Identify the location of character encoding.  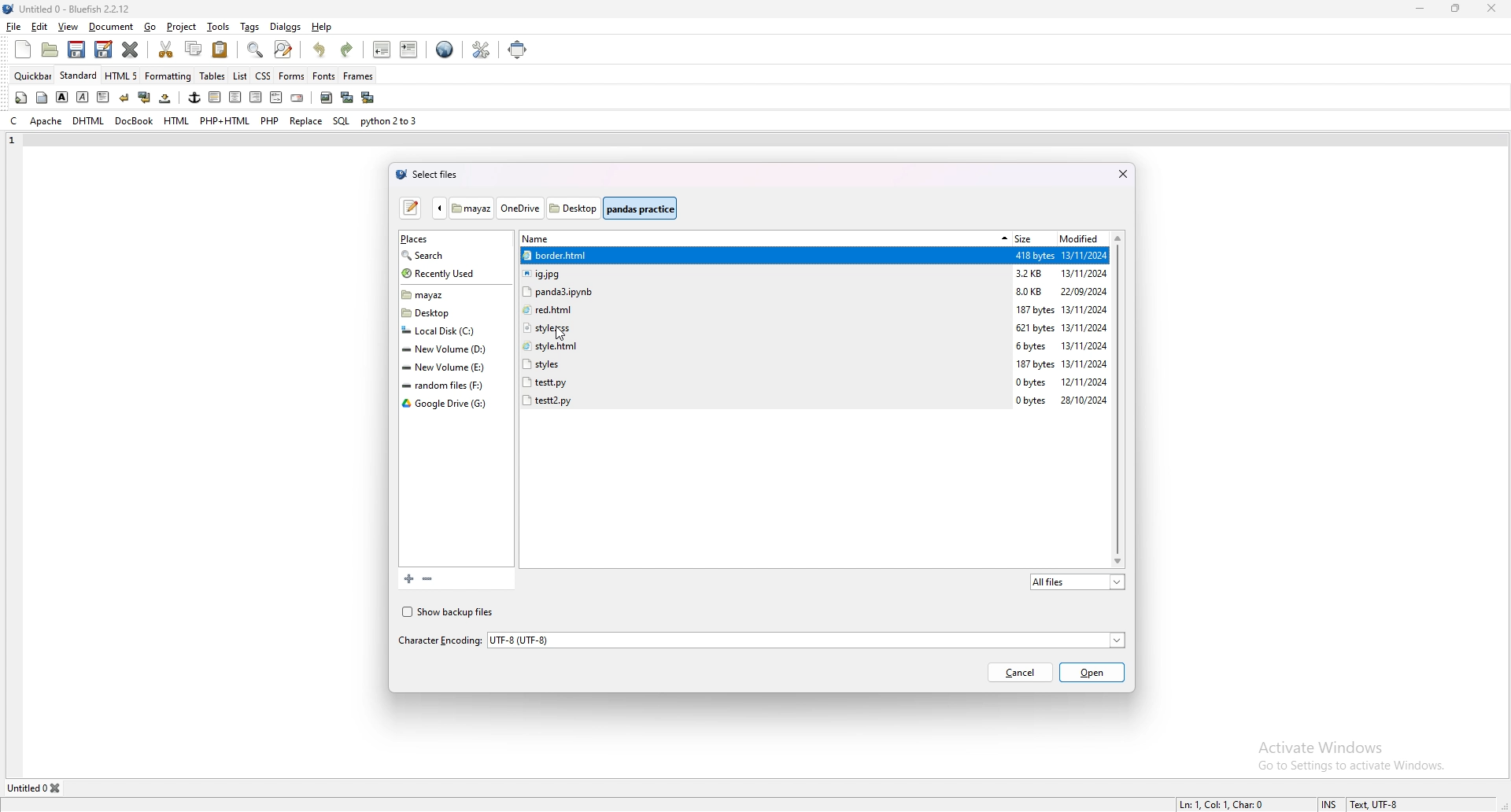
(760, 640).